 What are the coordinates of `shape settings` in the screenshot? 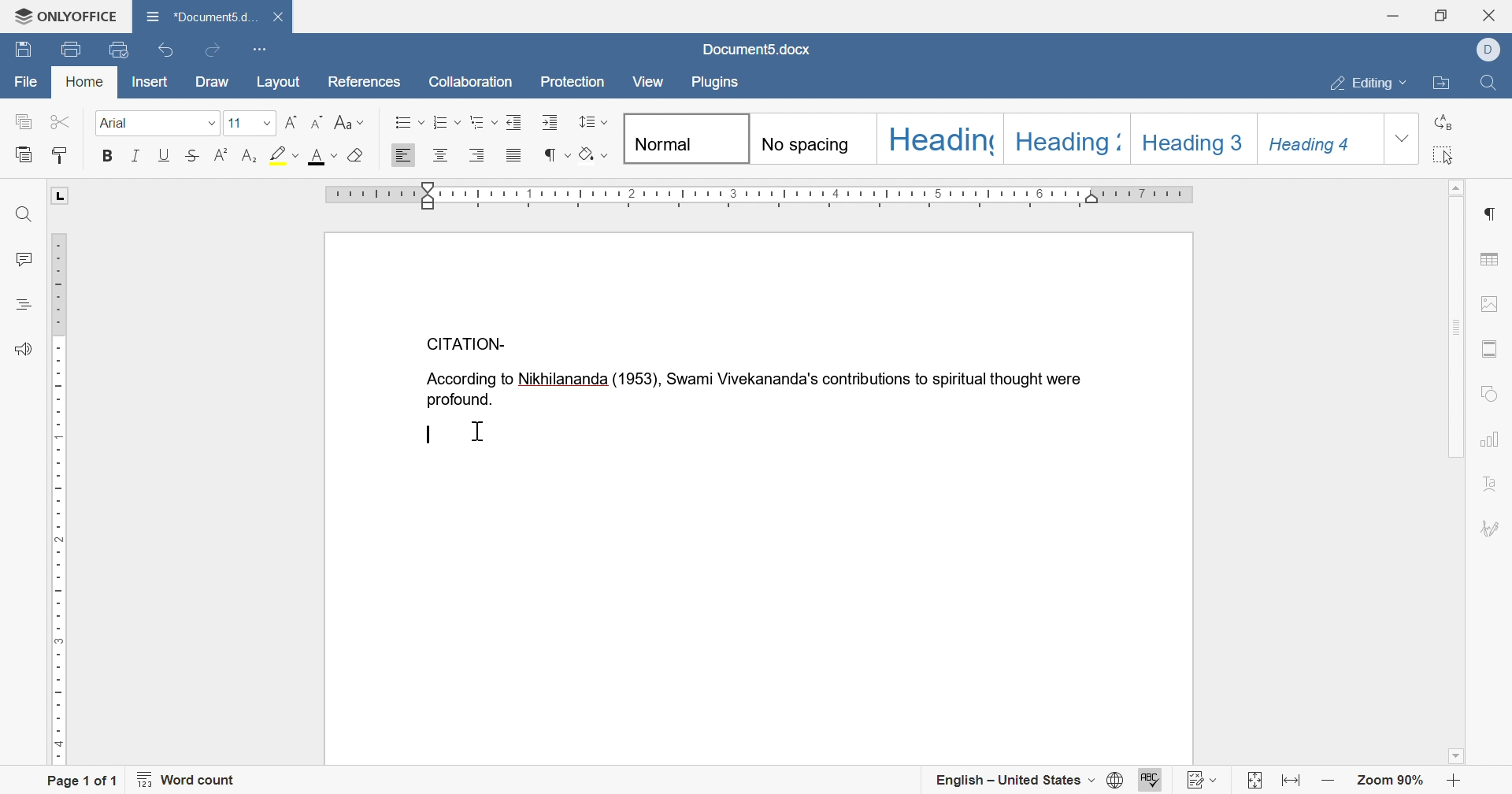 It's located at (1493, 392).